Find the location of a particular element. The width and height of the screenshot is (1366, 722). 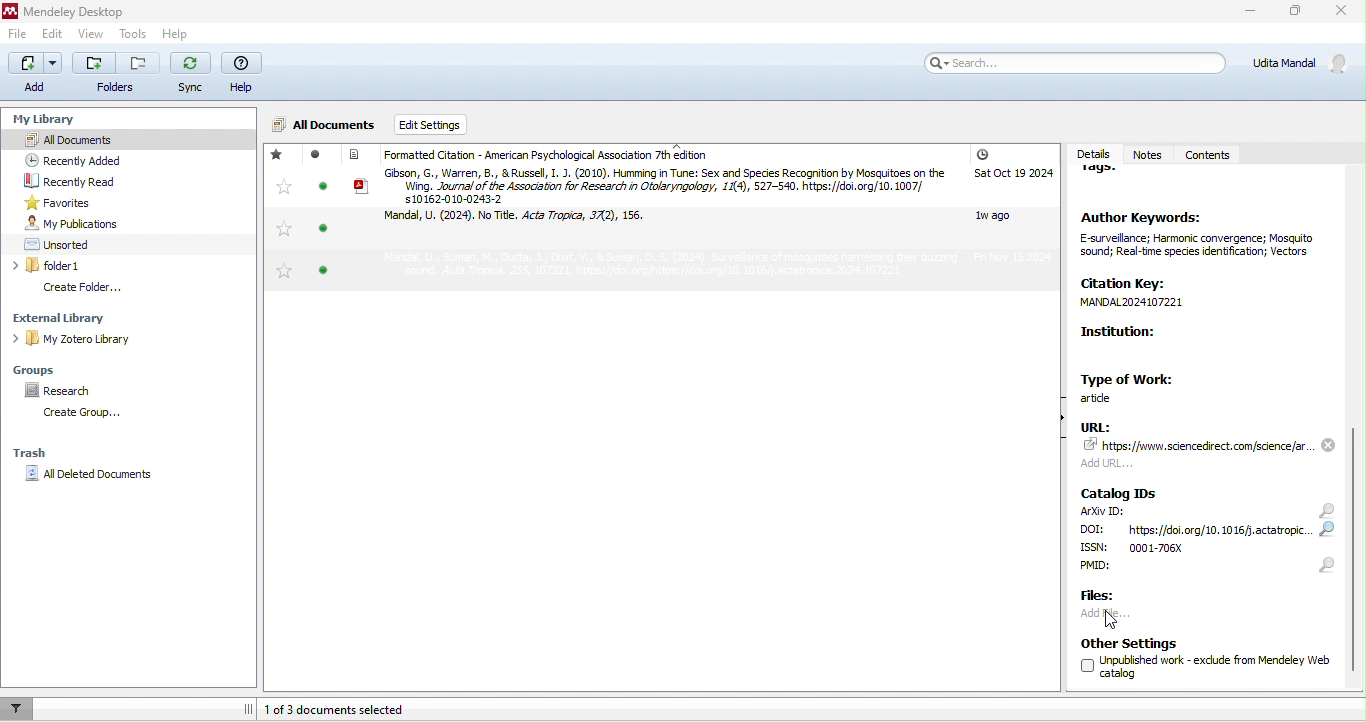

folder1 is located at coordinates (98, 266).